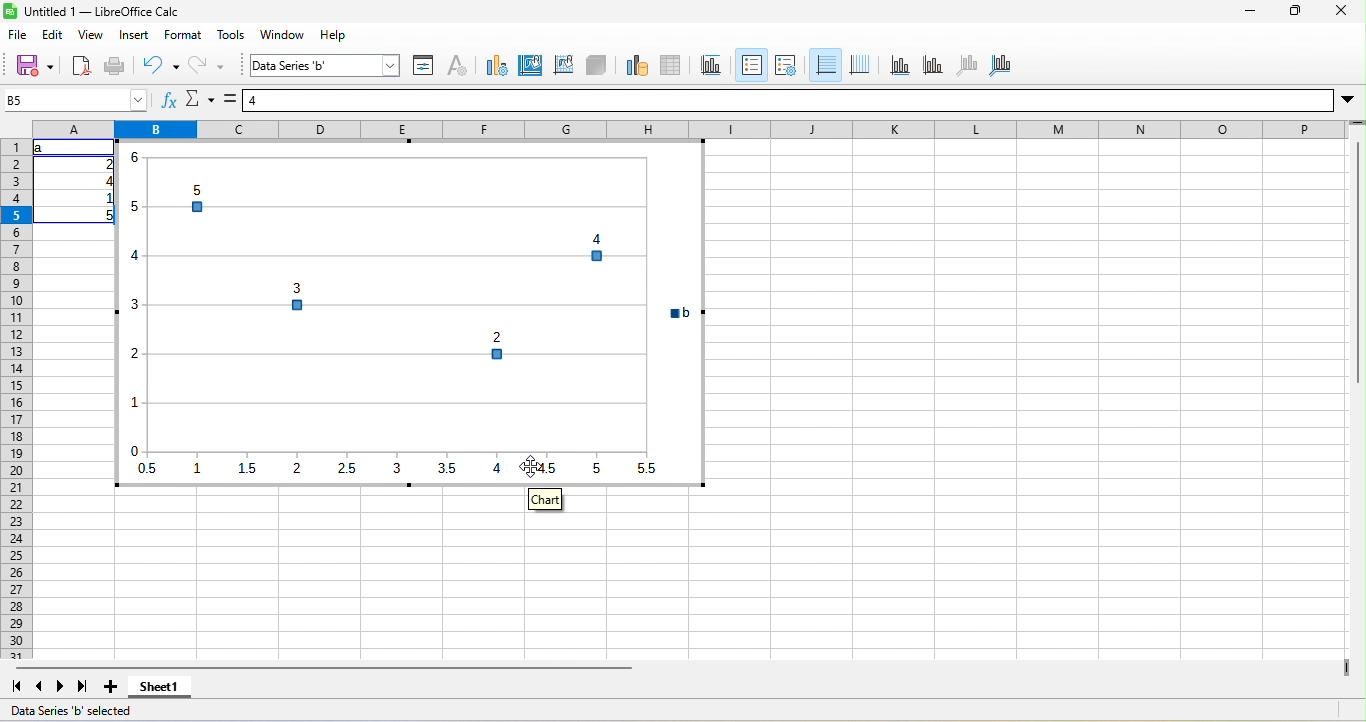 The height and width of the screenshot is (722, 1366). Describe the element at coordinates (183, 35) in the screenshot. I see `format` at that location.